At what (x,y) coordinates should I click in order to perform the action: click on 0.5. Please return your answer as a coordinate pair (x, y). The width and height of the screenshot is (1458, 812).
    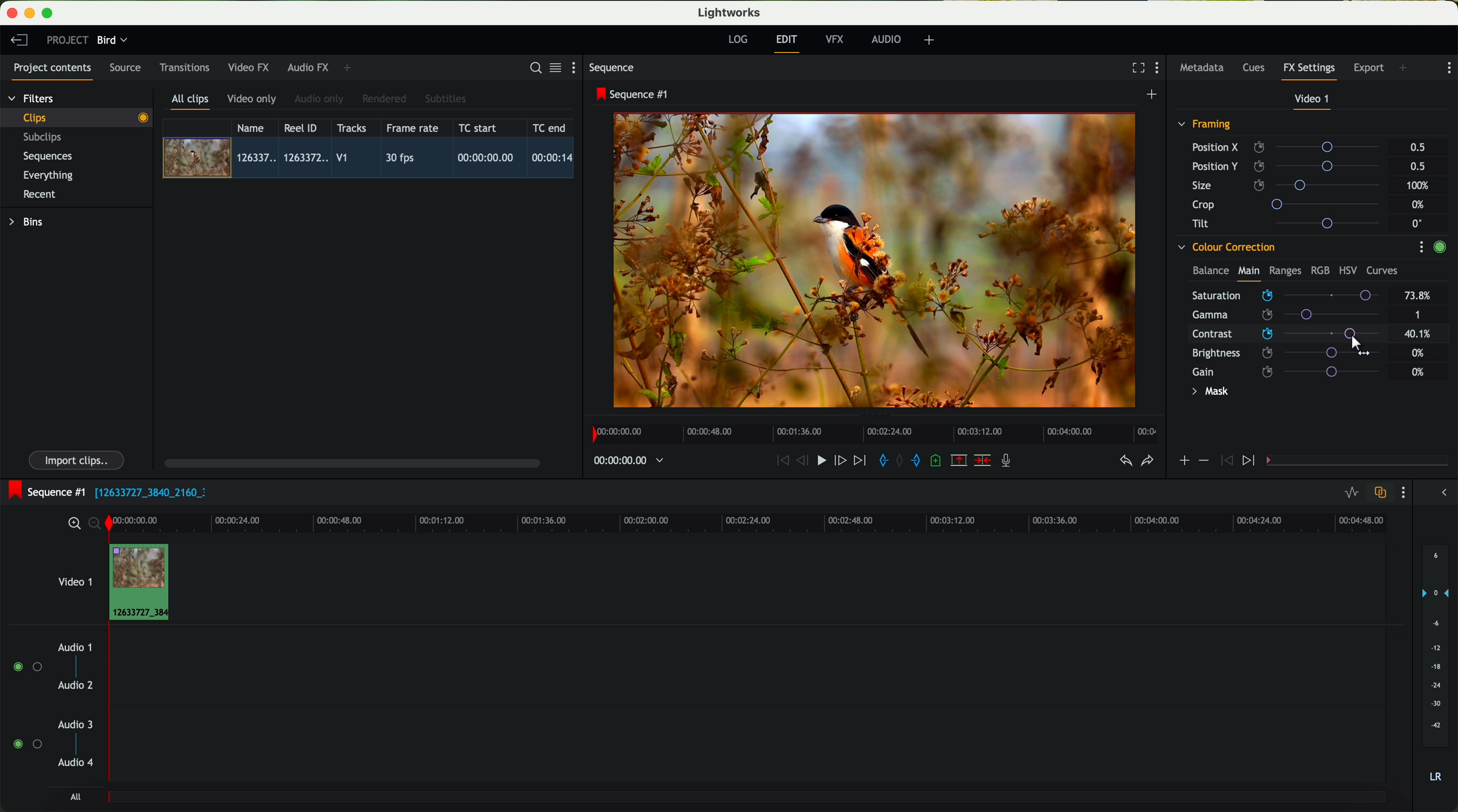
    Looking at the image, I should click on (1418, 148).